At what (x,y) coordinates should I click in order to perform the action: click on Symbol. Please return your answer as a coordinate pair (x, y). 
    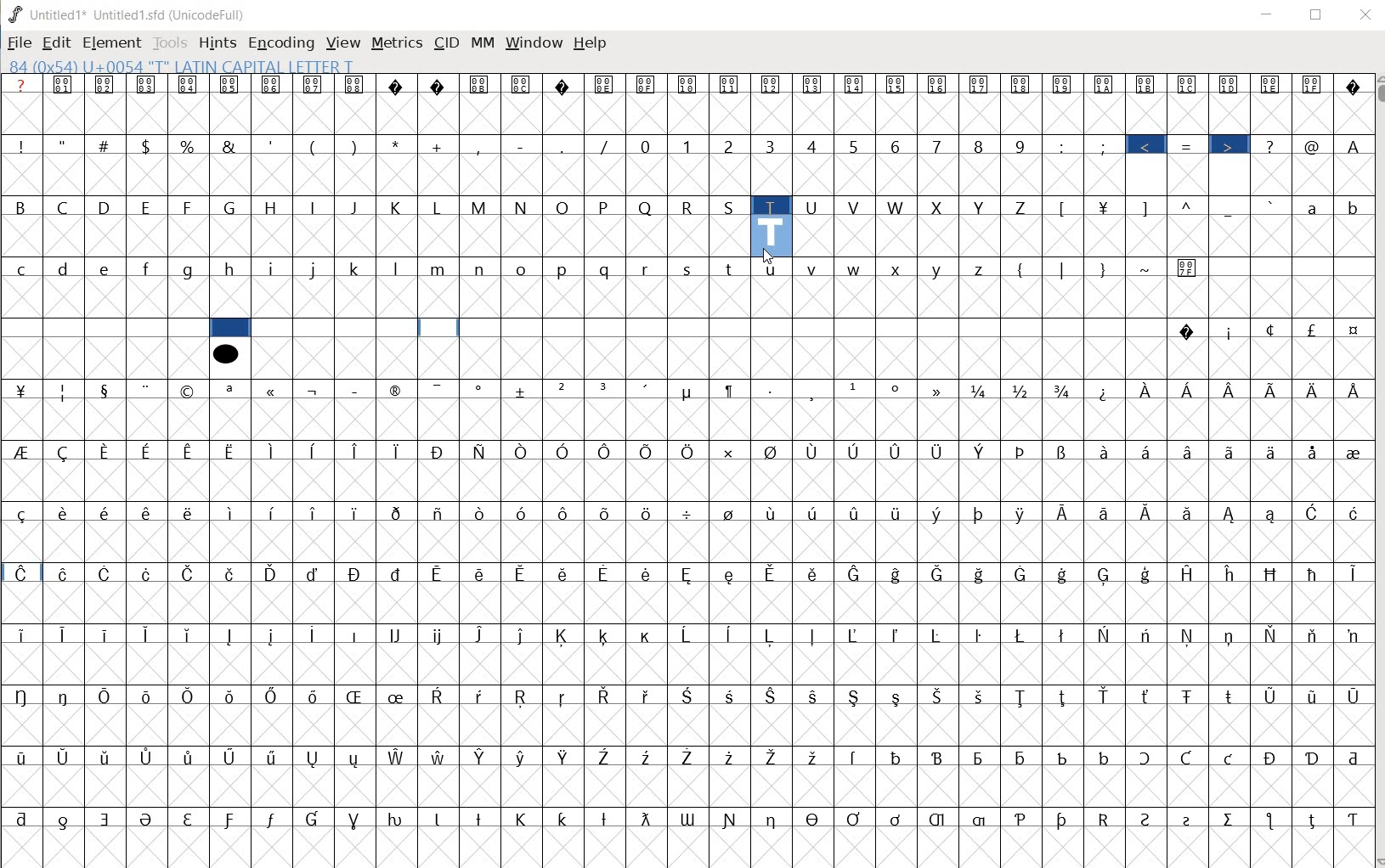
    Looking at the image, I should click on (523, 84).